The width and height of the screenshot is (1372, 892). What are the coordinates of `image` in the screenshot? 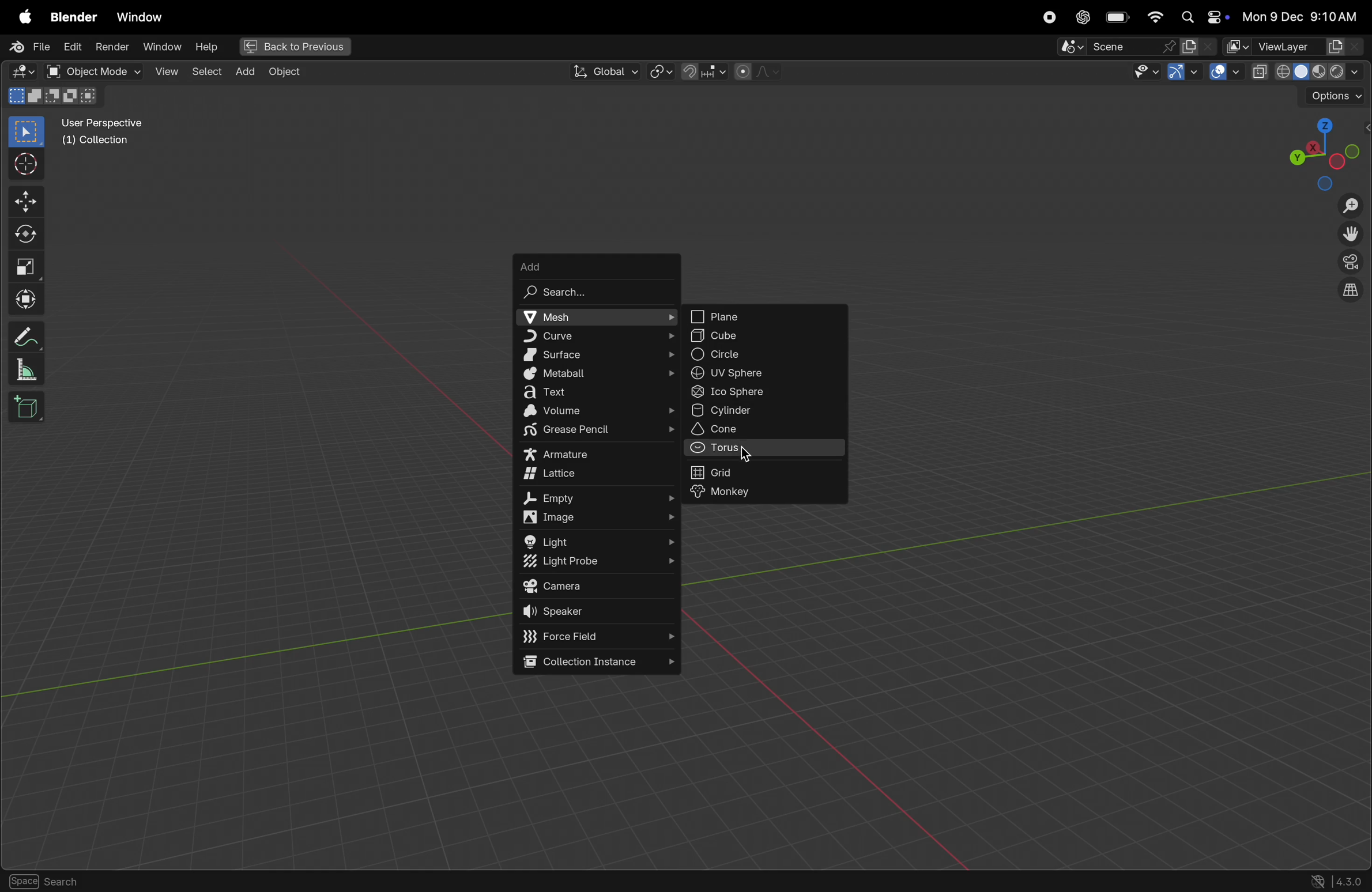 It's located at (602, 519).